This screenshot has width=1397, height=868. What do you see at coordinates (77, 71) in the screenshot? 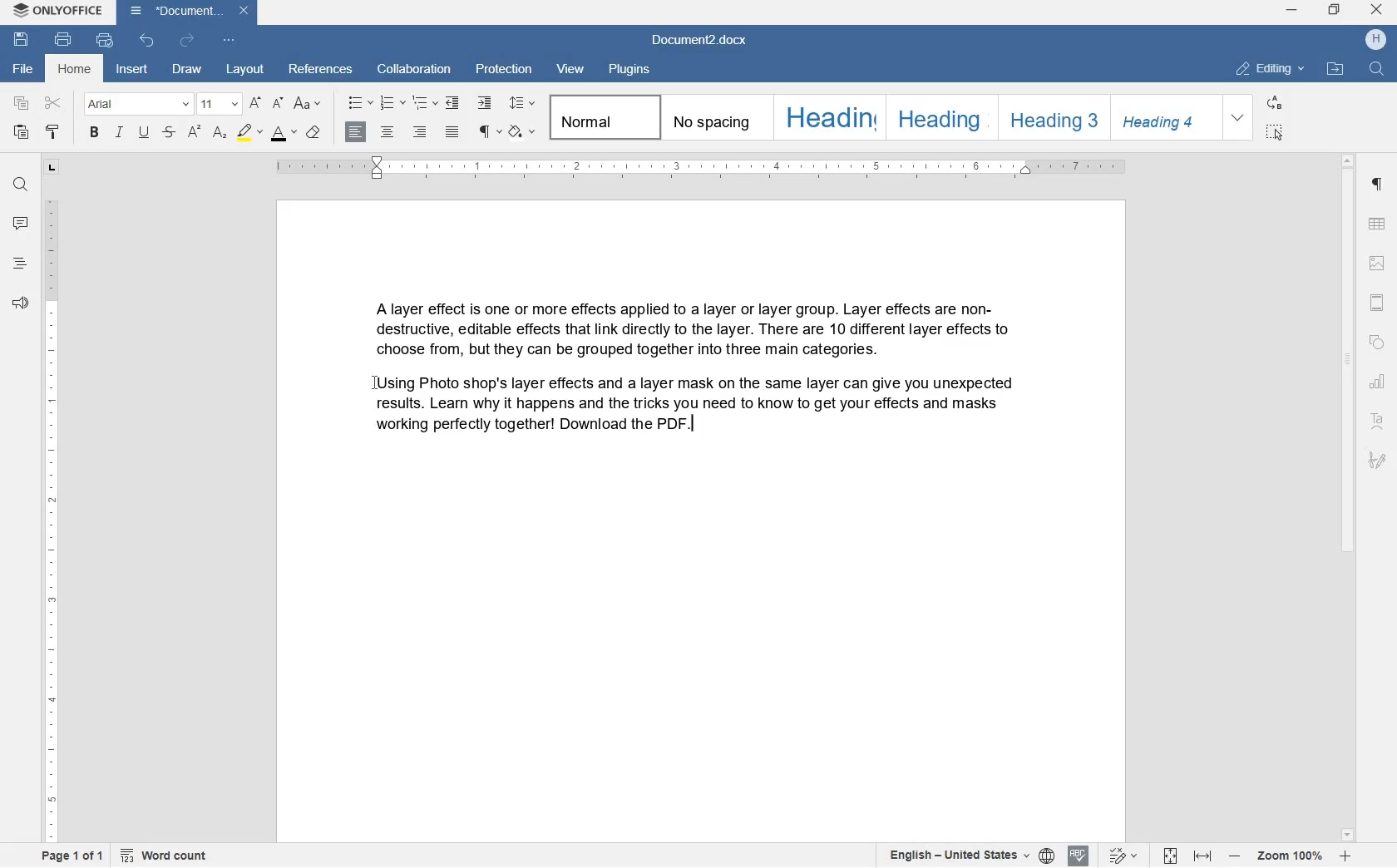
I see `HOME` at bounding box center [77, 71].